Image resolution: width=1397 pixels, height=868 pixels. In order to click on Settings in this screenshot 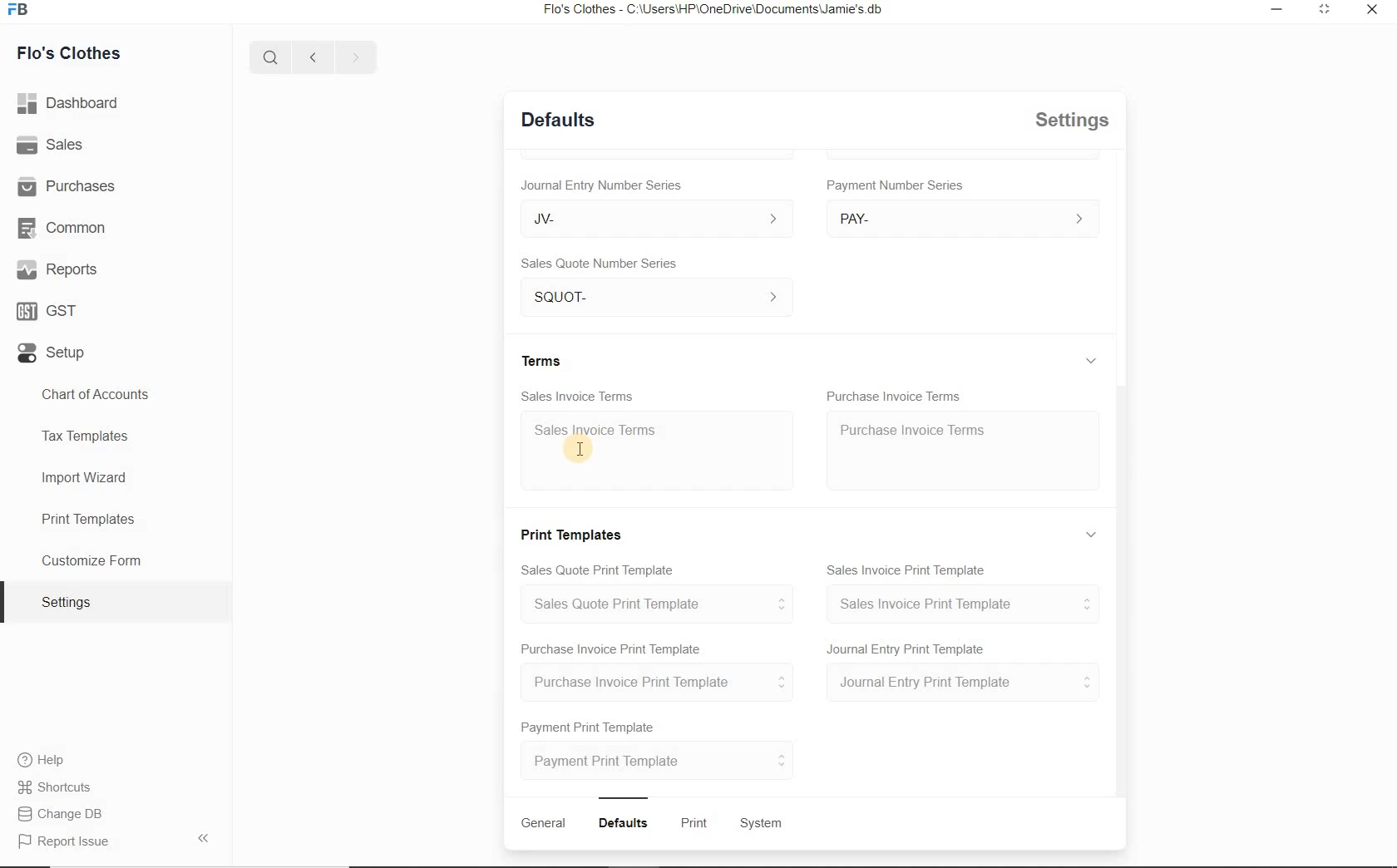, I will do `click(1074, 120)`.